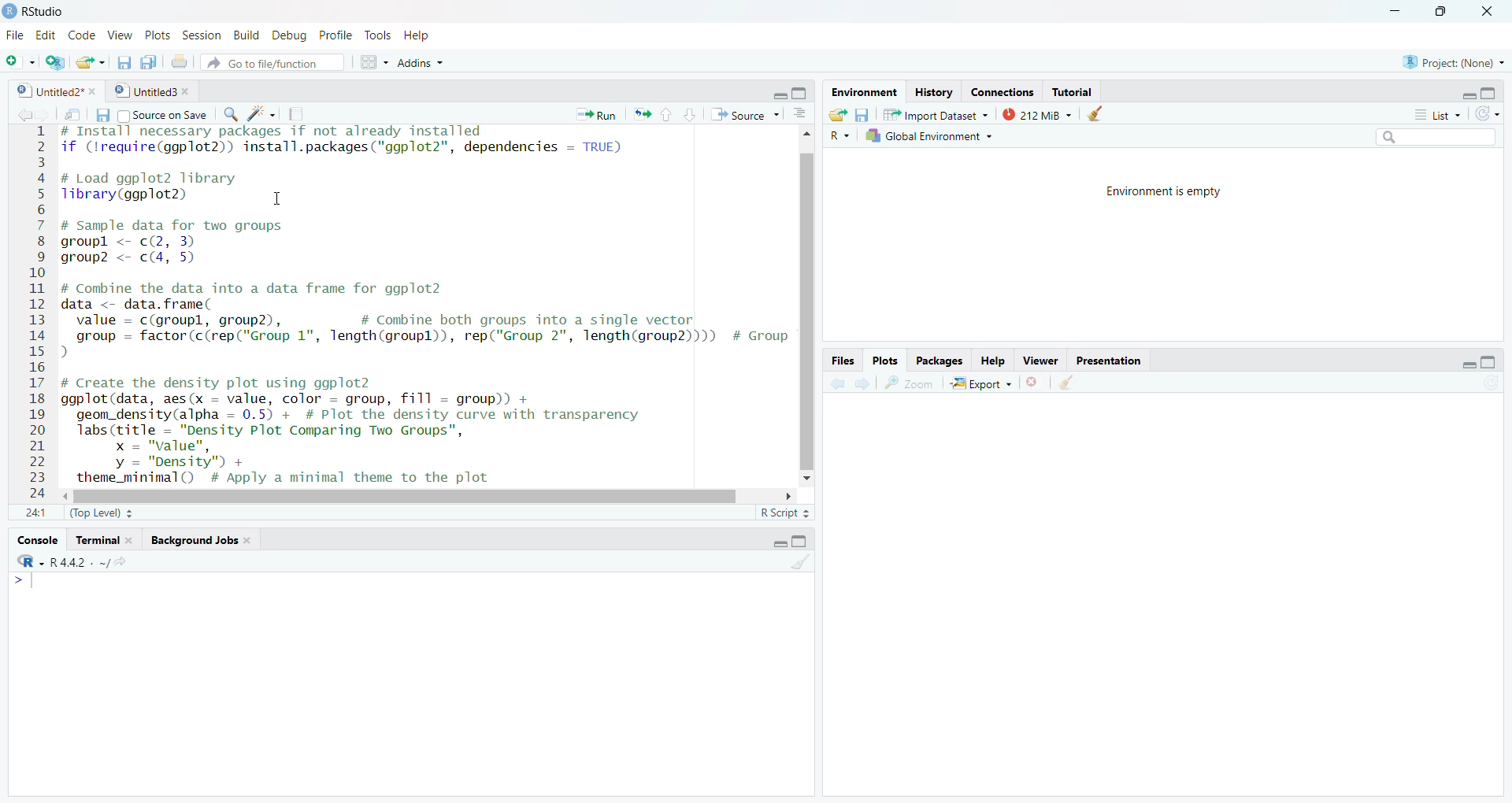 This screenshot has height=803, width=1512. I want to click on global environment, so click(934, 136).